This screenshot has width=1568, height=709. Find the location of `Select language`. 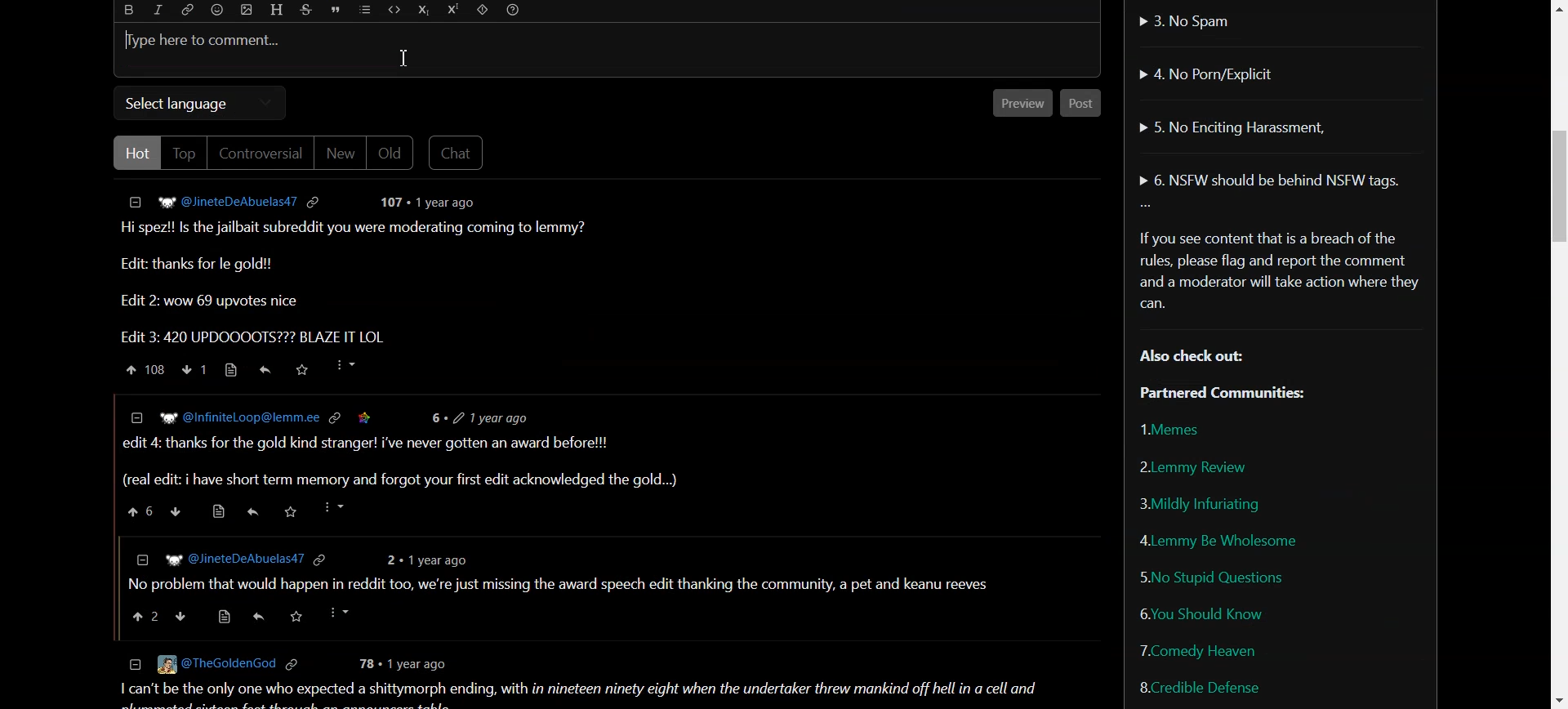

Select language is located at coordinates (201, 103).